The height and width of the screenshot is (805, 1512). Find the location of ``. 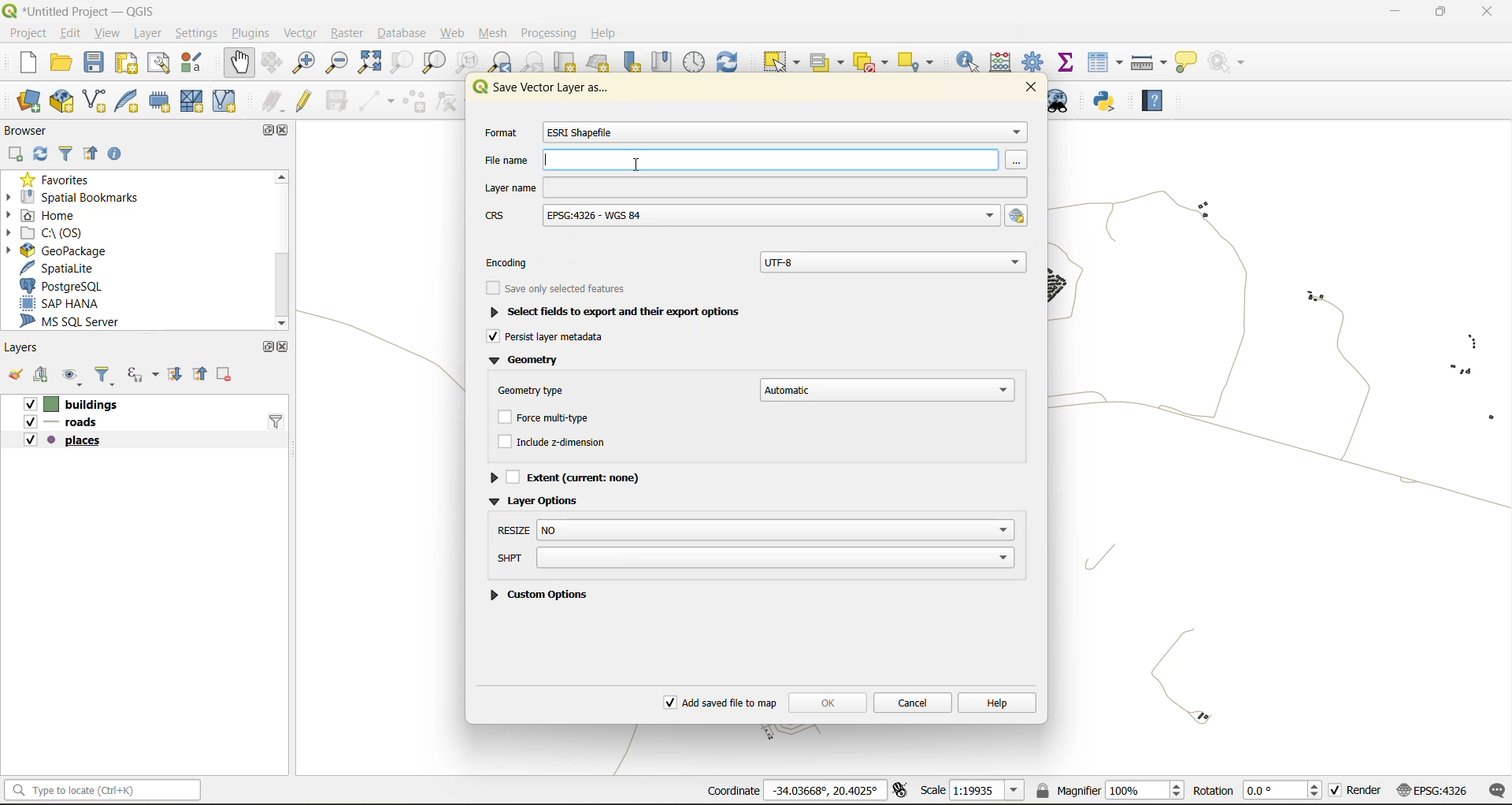

 is located at coordinates (753, 217).